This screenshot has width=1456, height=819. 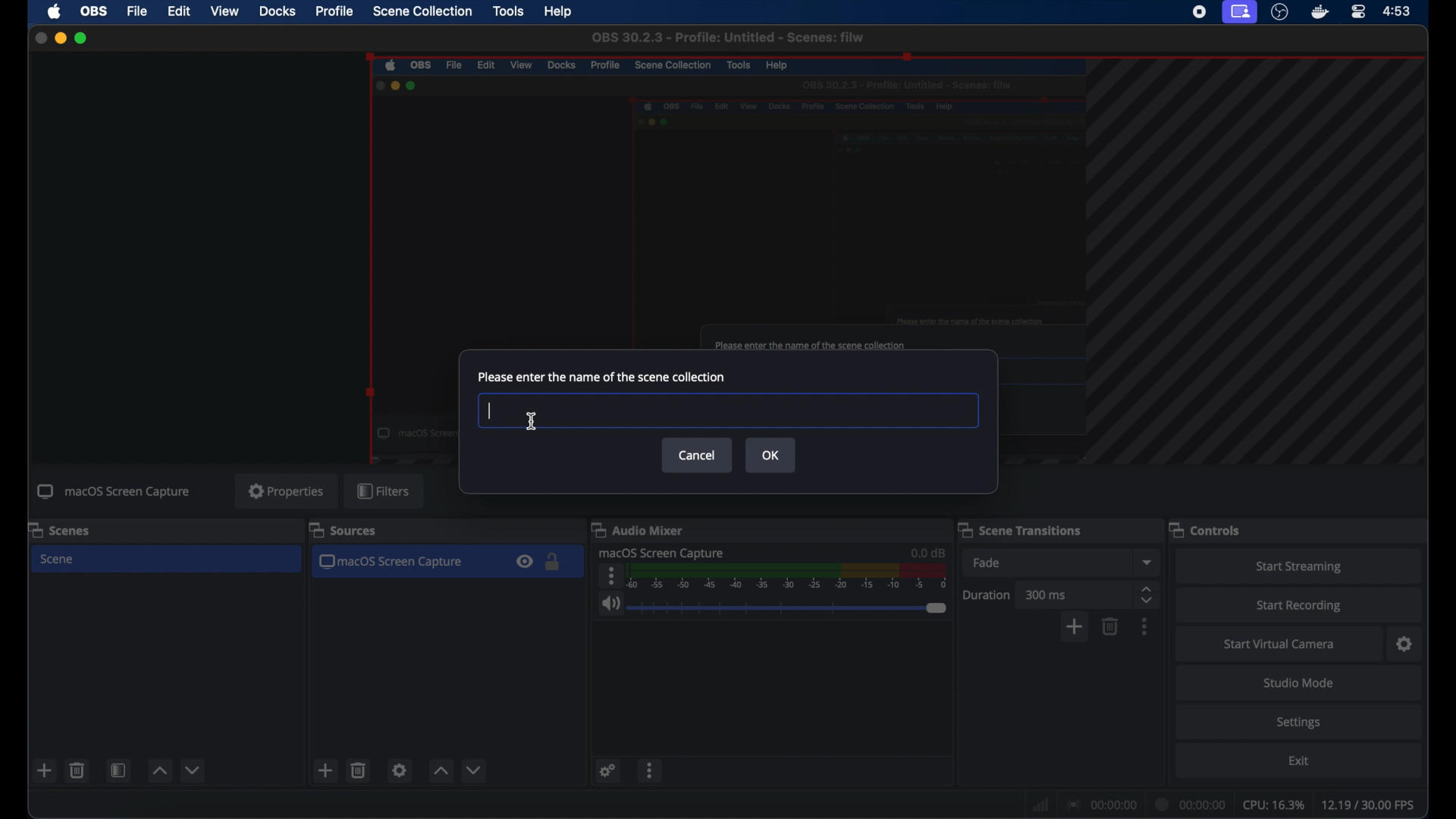 I want to click on settings, so click(x=1404, y=643).